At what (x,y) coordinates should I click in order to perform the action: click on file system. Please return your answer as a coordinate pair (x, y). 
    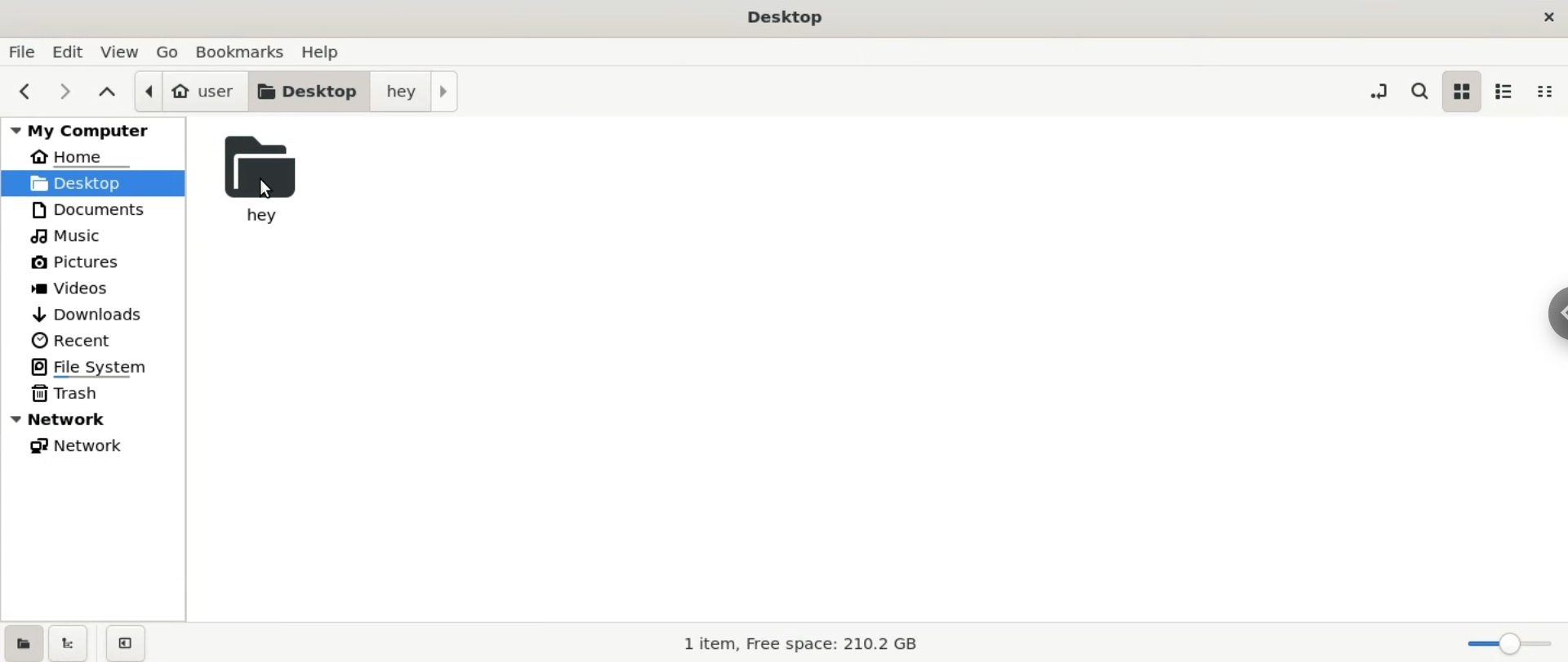
    Looking at the image, I should click on (93, 368).